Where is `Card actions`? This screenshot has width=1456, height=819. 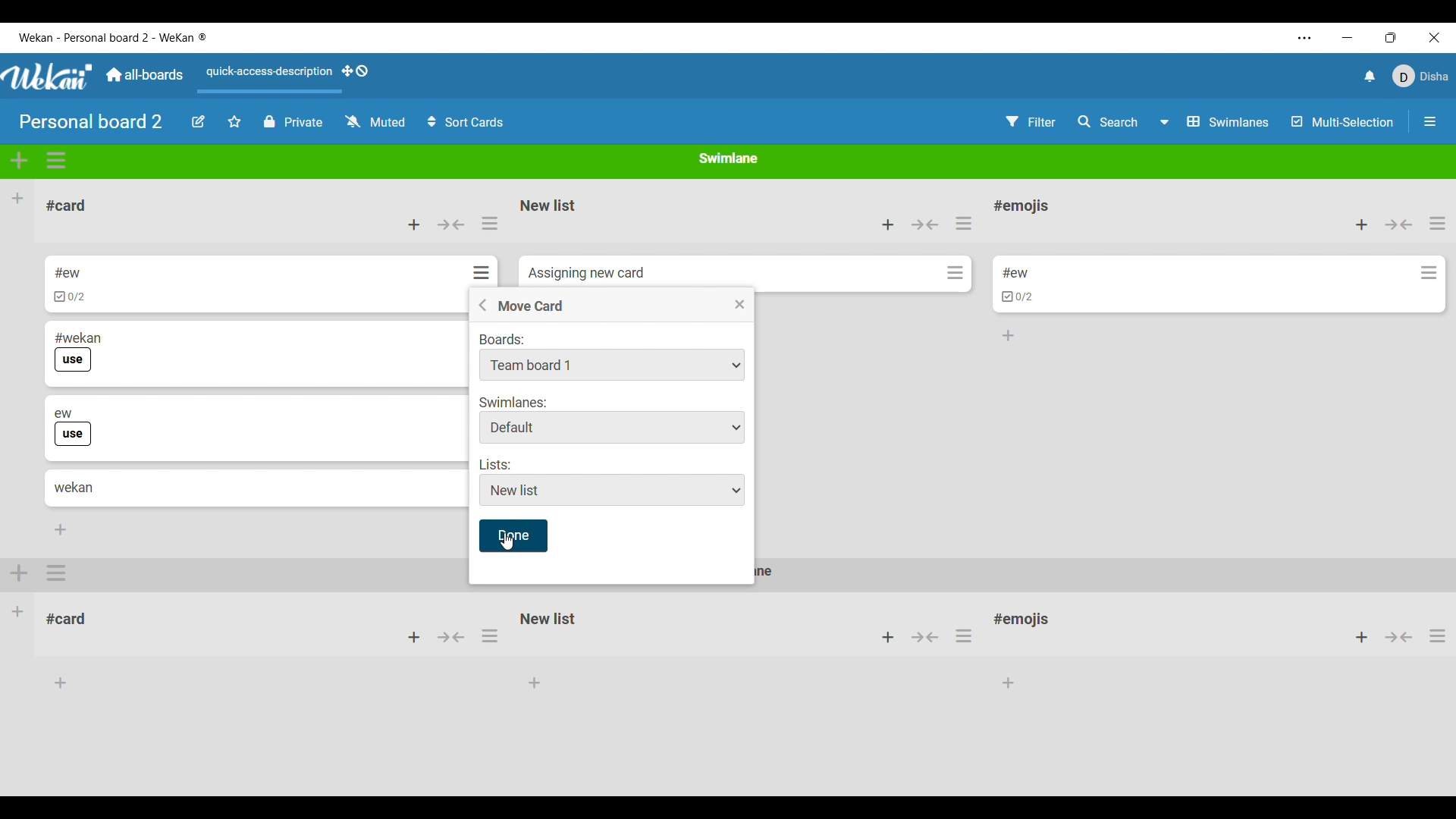
Card actions is located at coordinates (482, 272).